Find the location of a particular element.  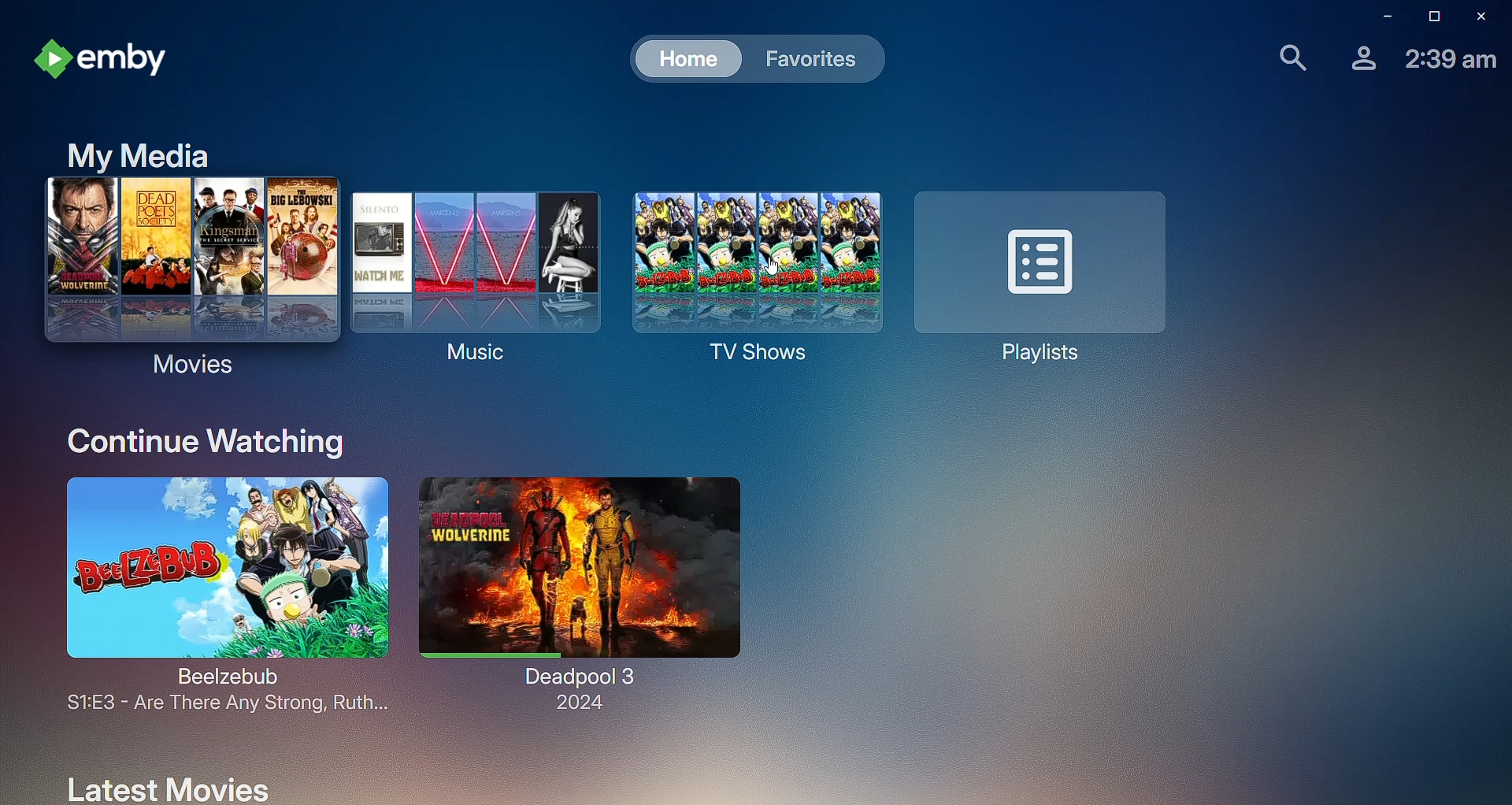

Close is located at coordinates (1474, 17).